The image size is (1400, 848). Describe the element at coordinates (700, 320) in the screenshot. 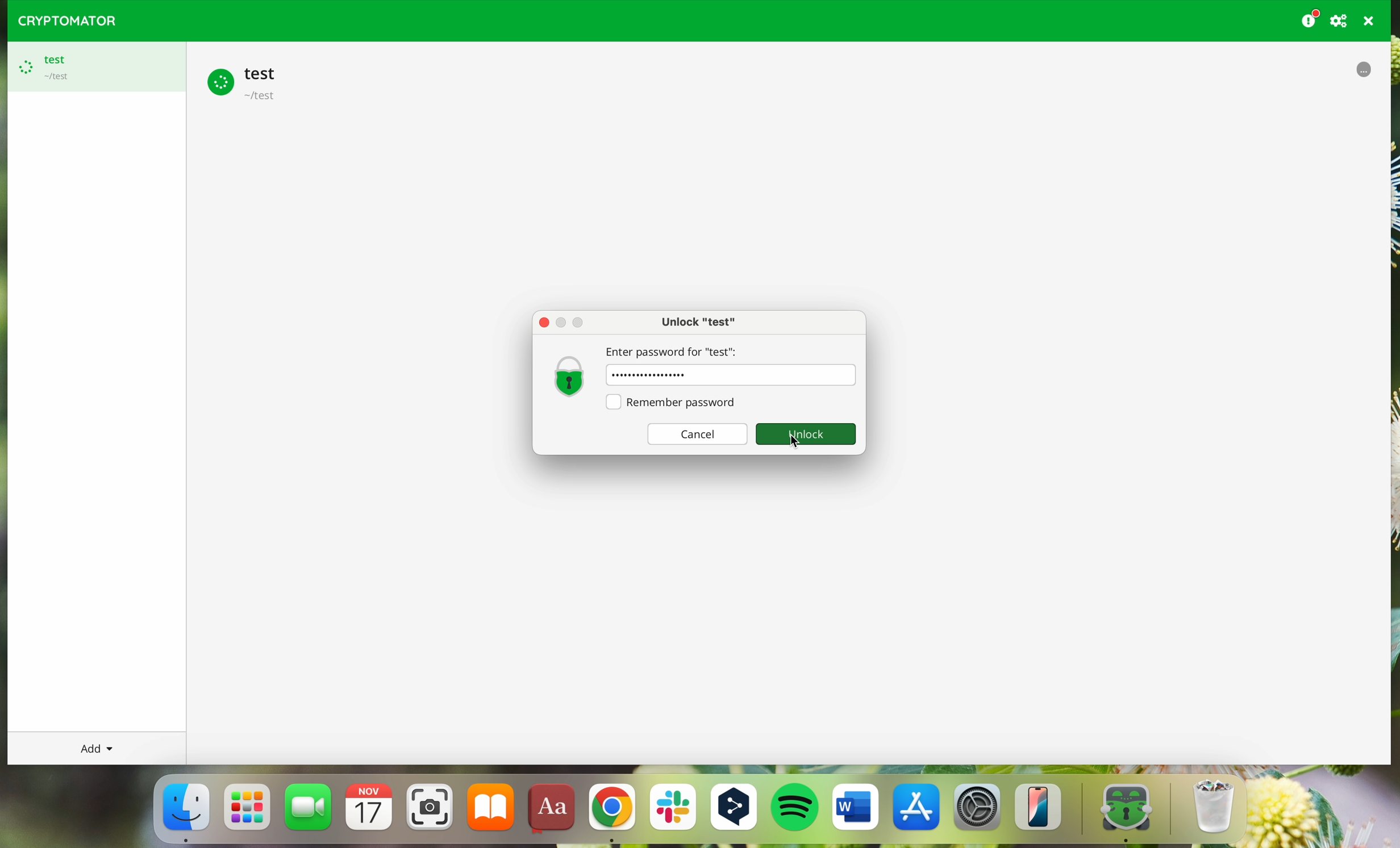

I see `unlock test window` at that location.